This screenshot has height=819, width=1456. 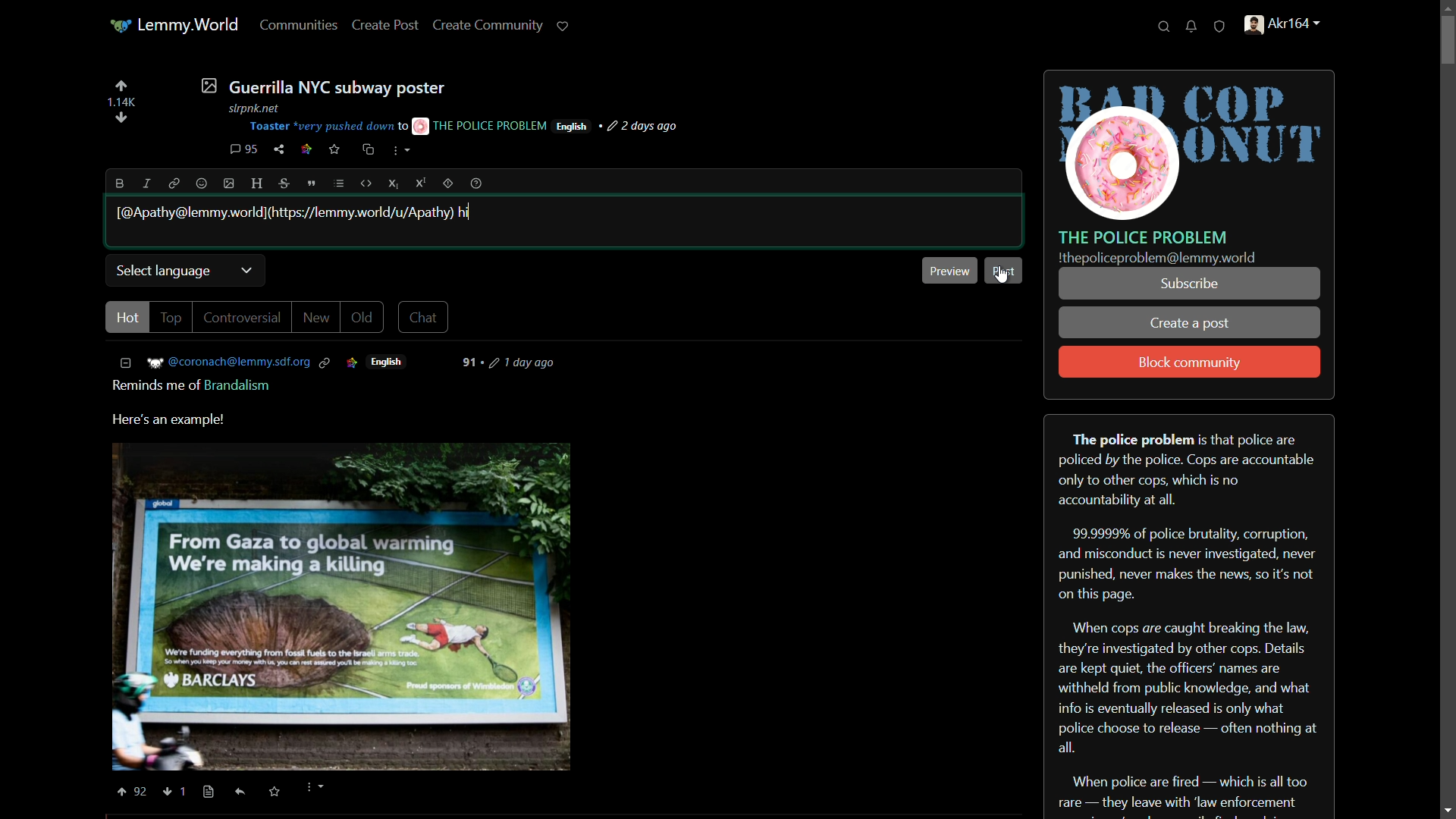 I want to click on Controversial, so click(x=243, y=318).